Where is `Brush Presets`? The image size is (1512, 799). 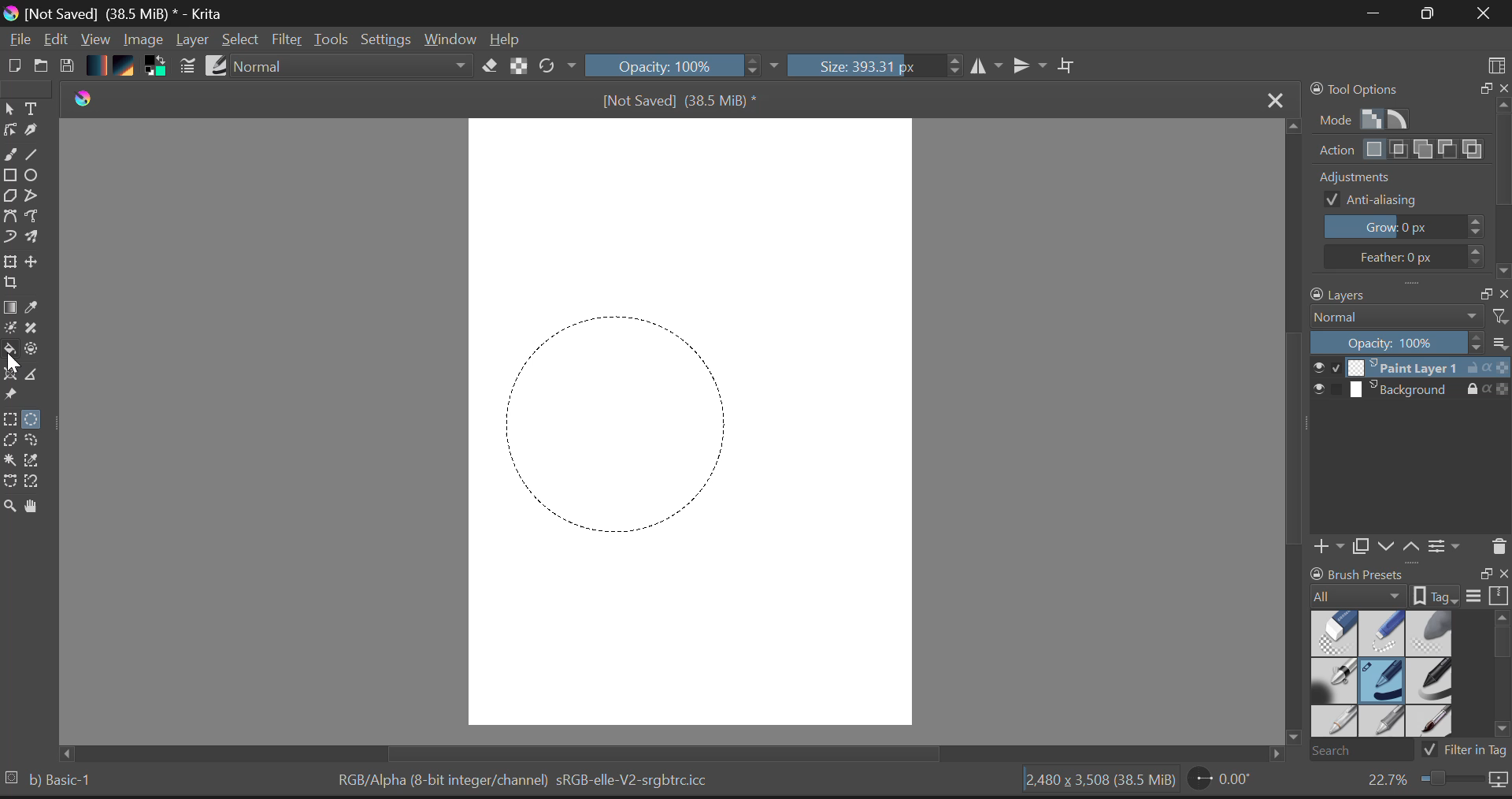
Brush Presets is located at coordinates (218, 65).